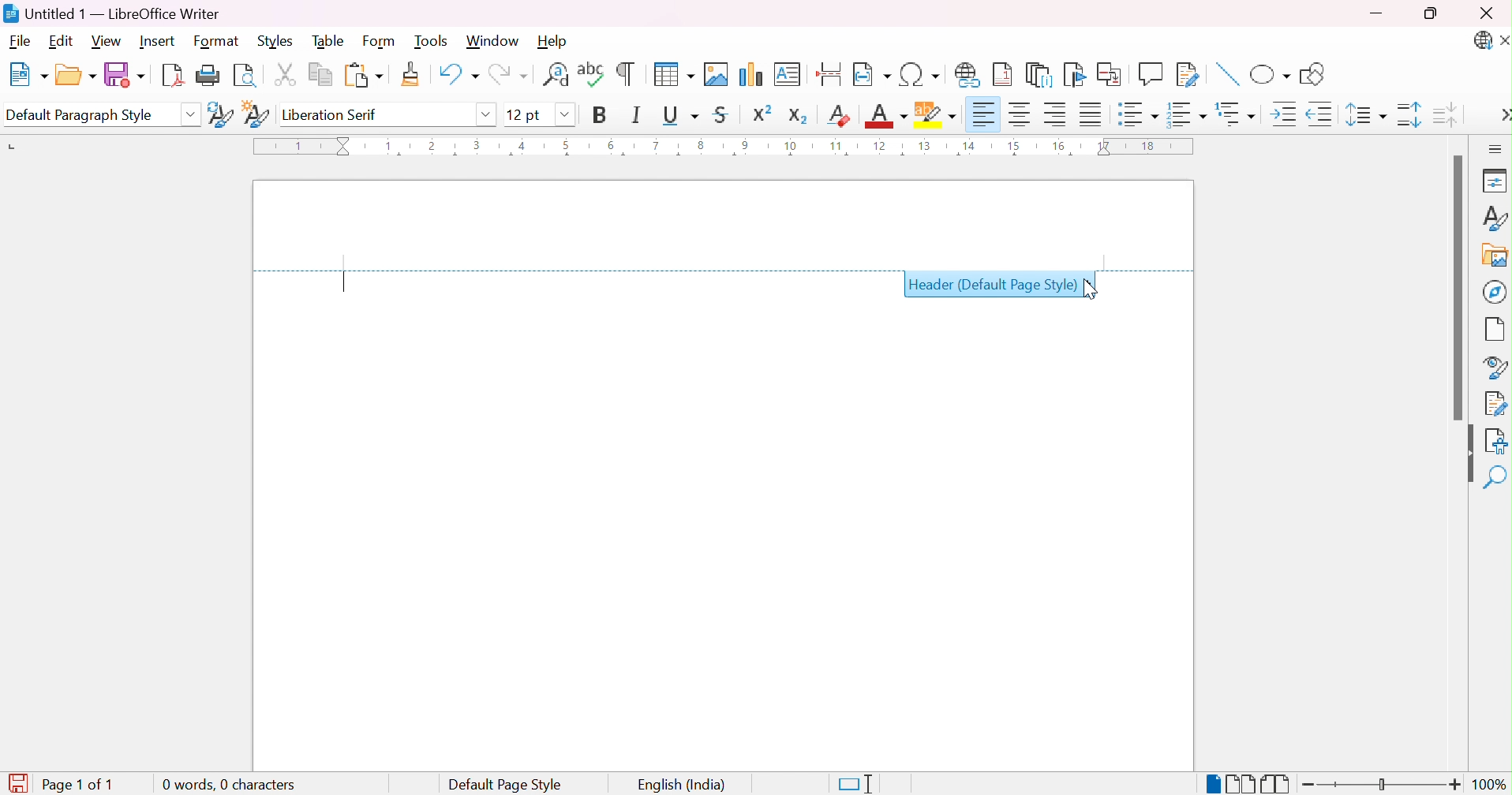 The width and height of the screenshot is (1512, 795). Describe the element at coordinates (833, 73) in the screenshot. I see `Insert page break` at that location.